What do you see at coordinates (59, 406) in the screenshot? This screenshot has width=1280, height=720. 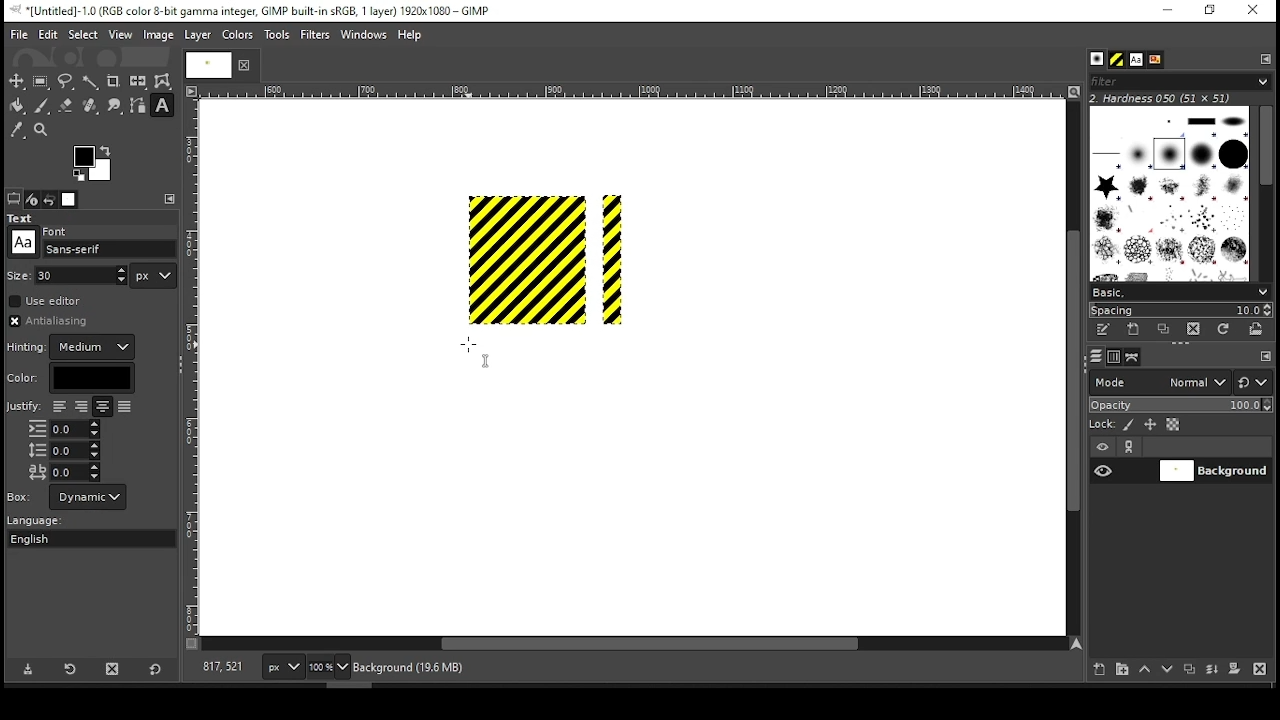 I see `justify left` at bounding box center [59, 406].